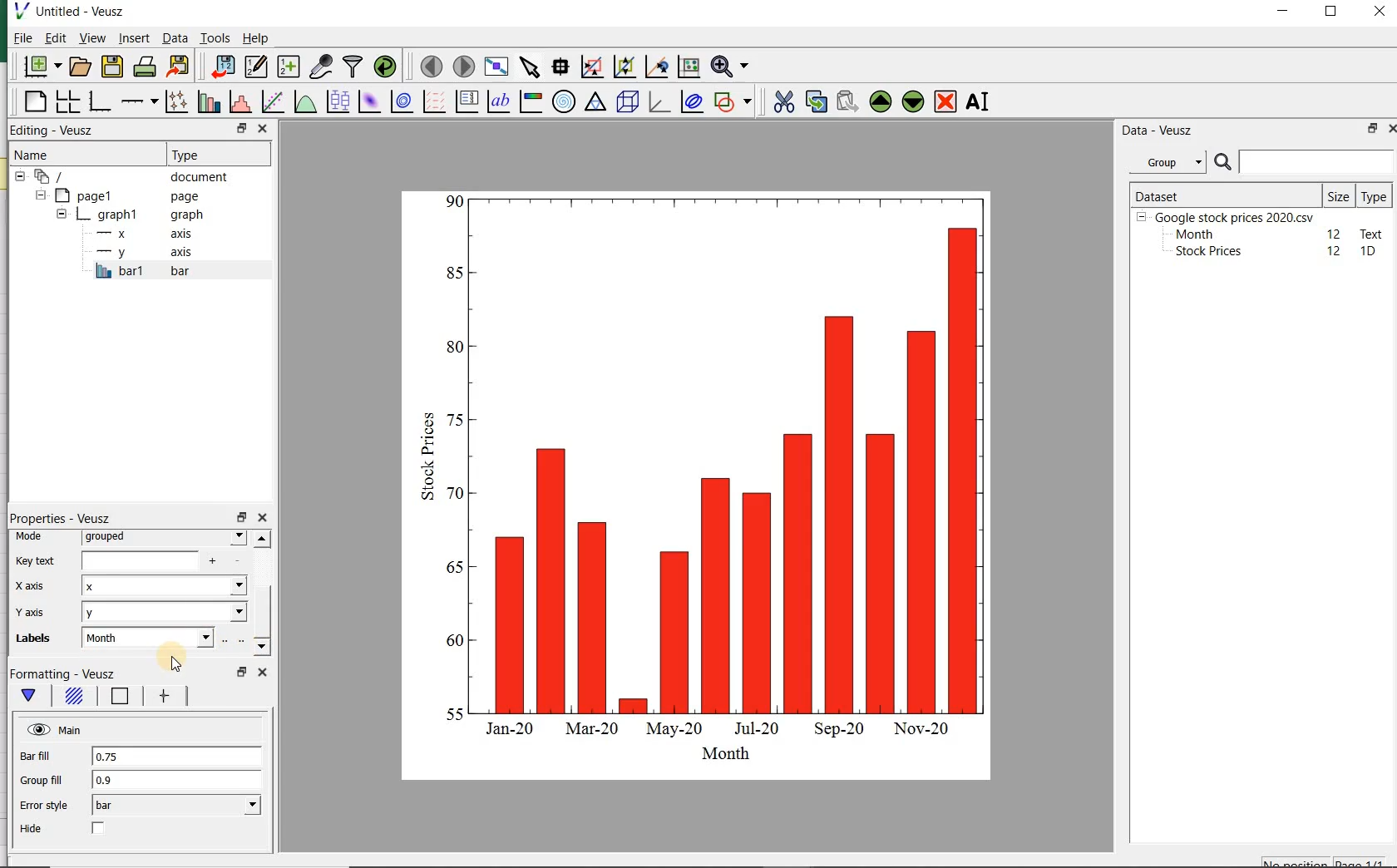 The image size is (1397, 868). I want to click on cursor, so click(172, 666).